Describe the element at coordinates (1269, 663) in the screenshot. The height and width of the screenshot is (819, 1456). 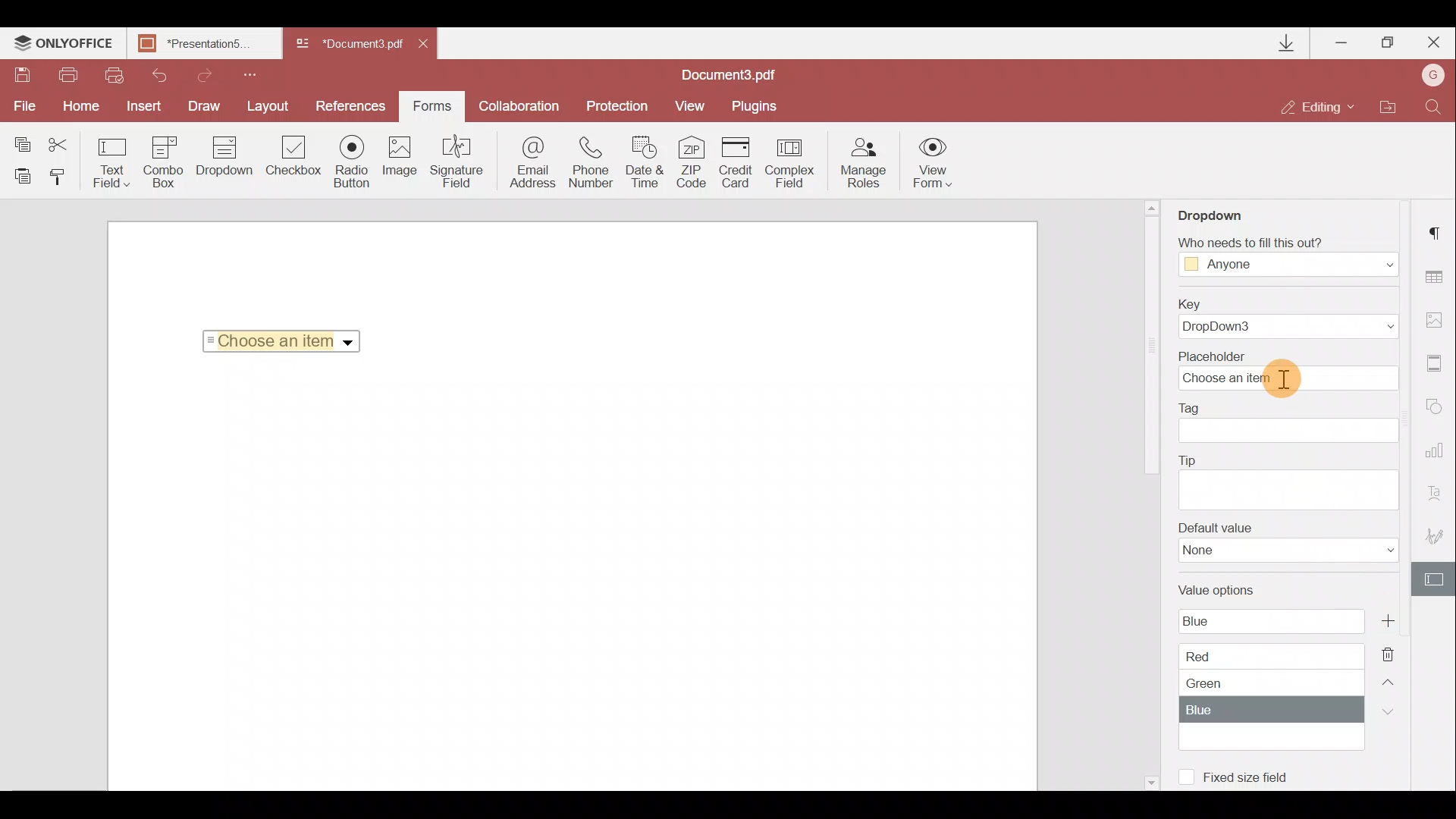
I see `Value options` at that location.